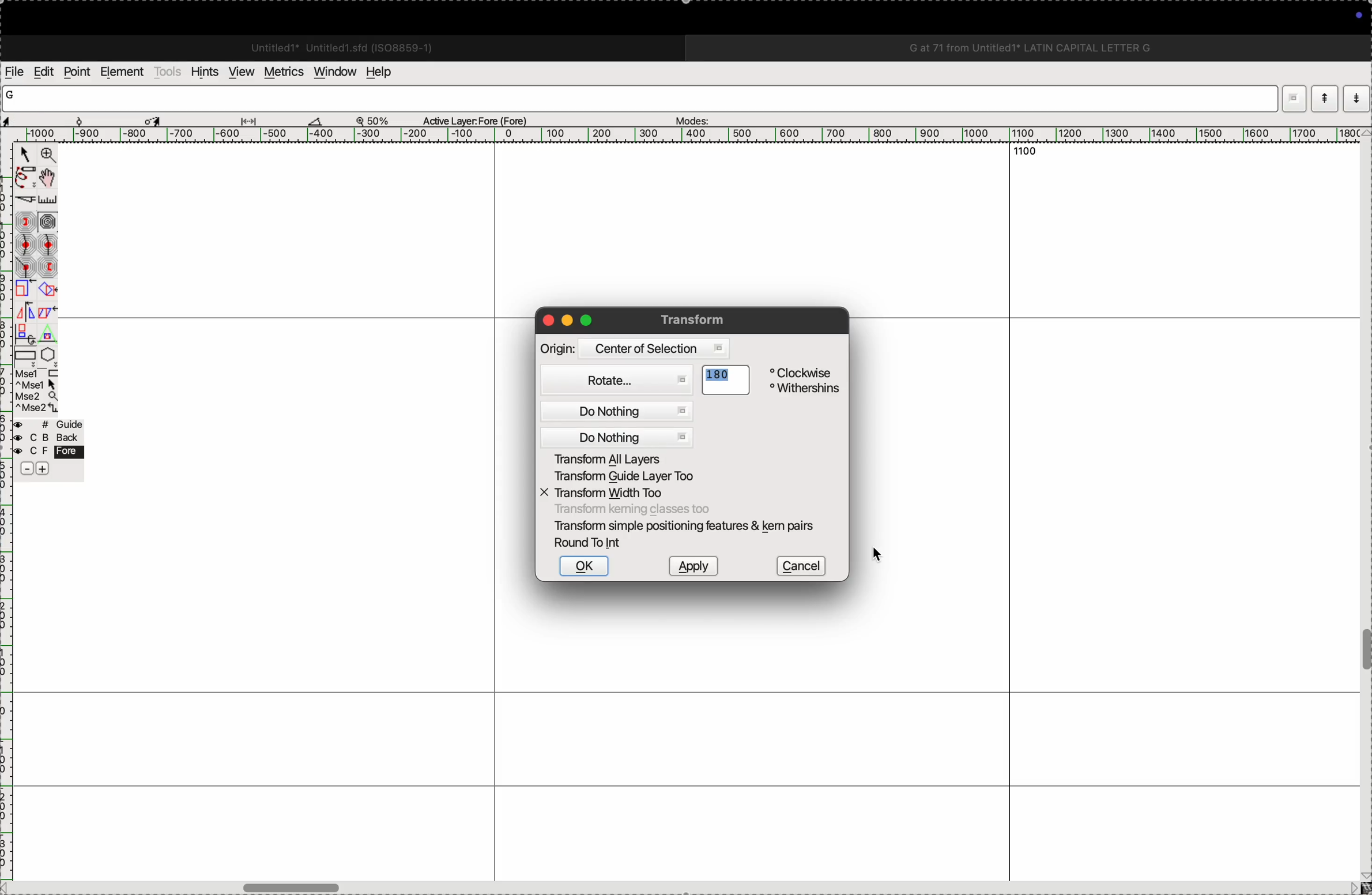  I want to click on left mouse button, so click(37, 373).